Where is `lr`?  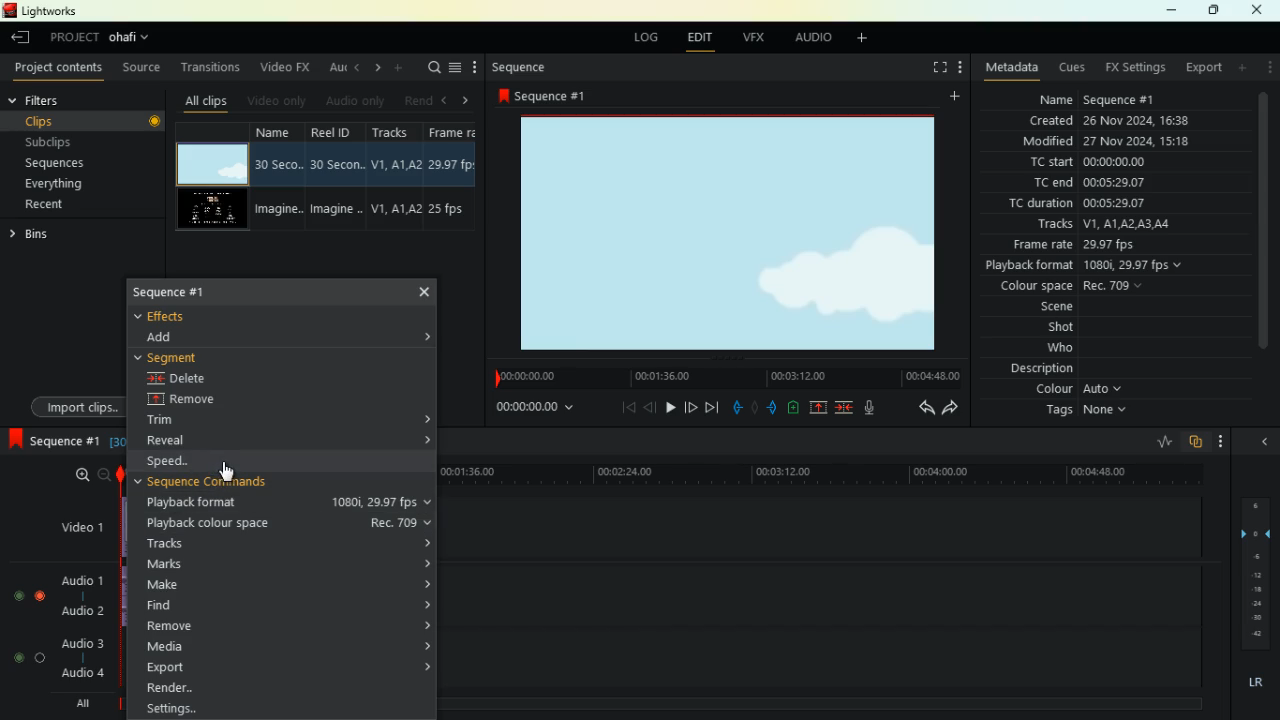 lr is located at coordinates (1251, 683).